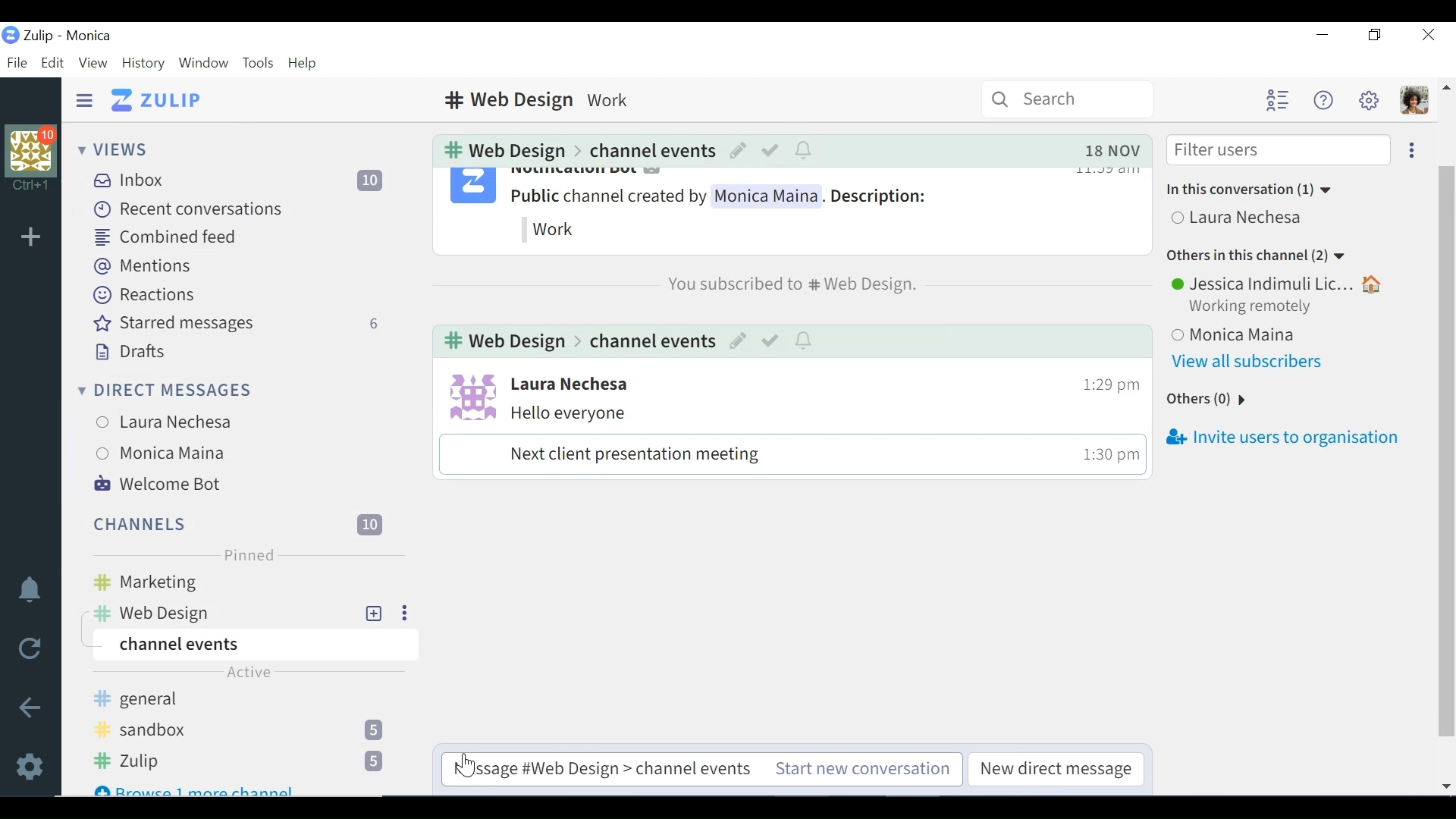  What do you see at coordinates (375, 613) in the screenshot?
I see `add New Topic` at bounding box center [375, 613].